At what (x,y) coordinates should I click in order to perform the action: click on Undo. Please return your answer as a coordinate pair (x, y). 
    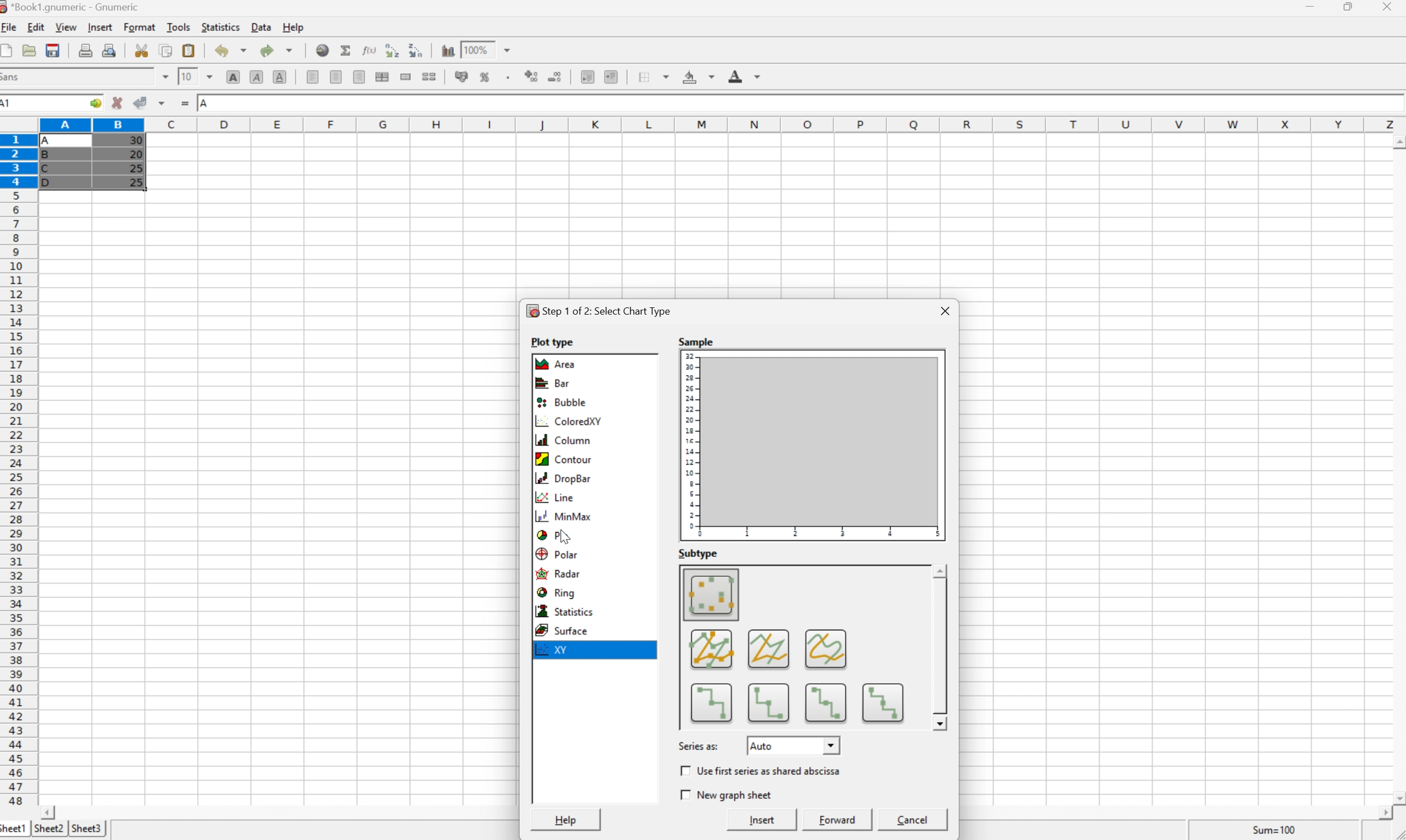
    Looking at the image, I should click on (230, 50).